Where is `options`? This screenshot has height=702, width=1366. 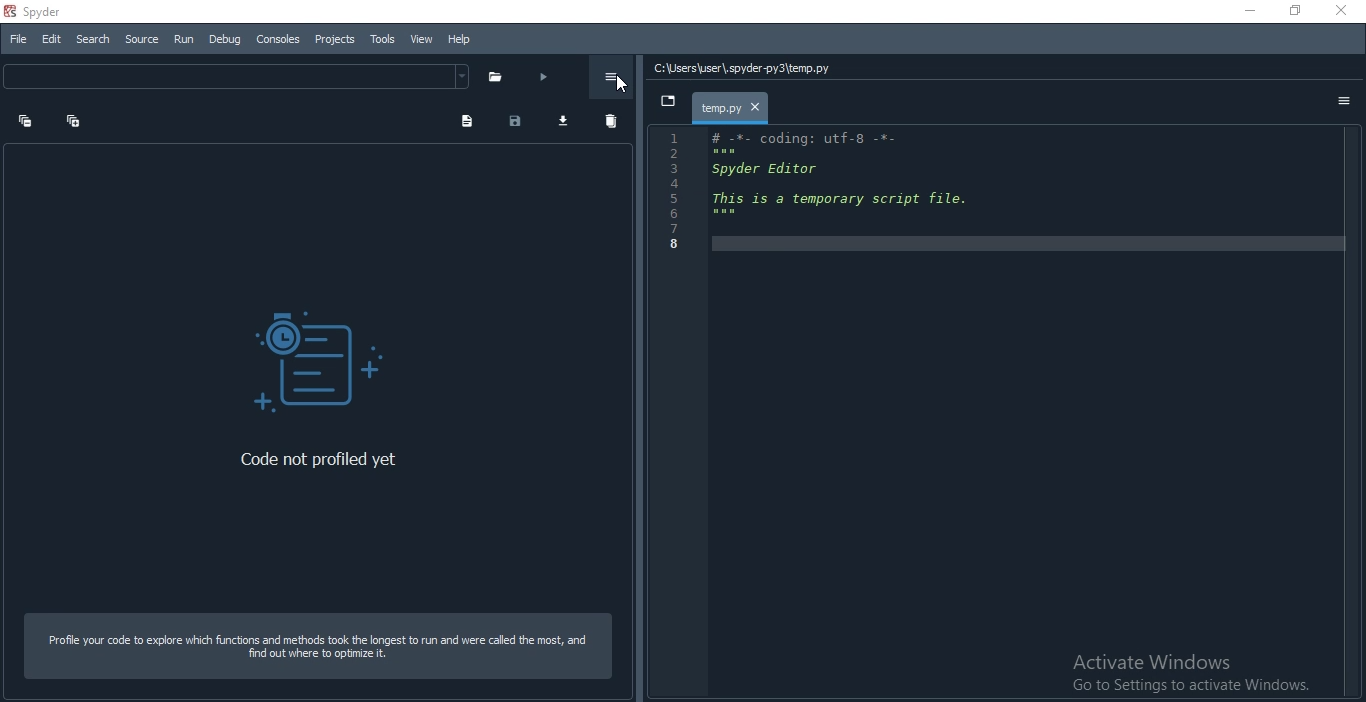
options is located at coordinates (613, 72).